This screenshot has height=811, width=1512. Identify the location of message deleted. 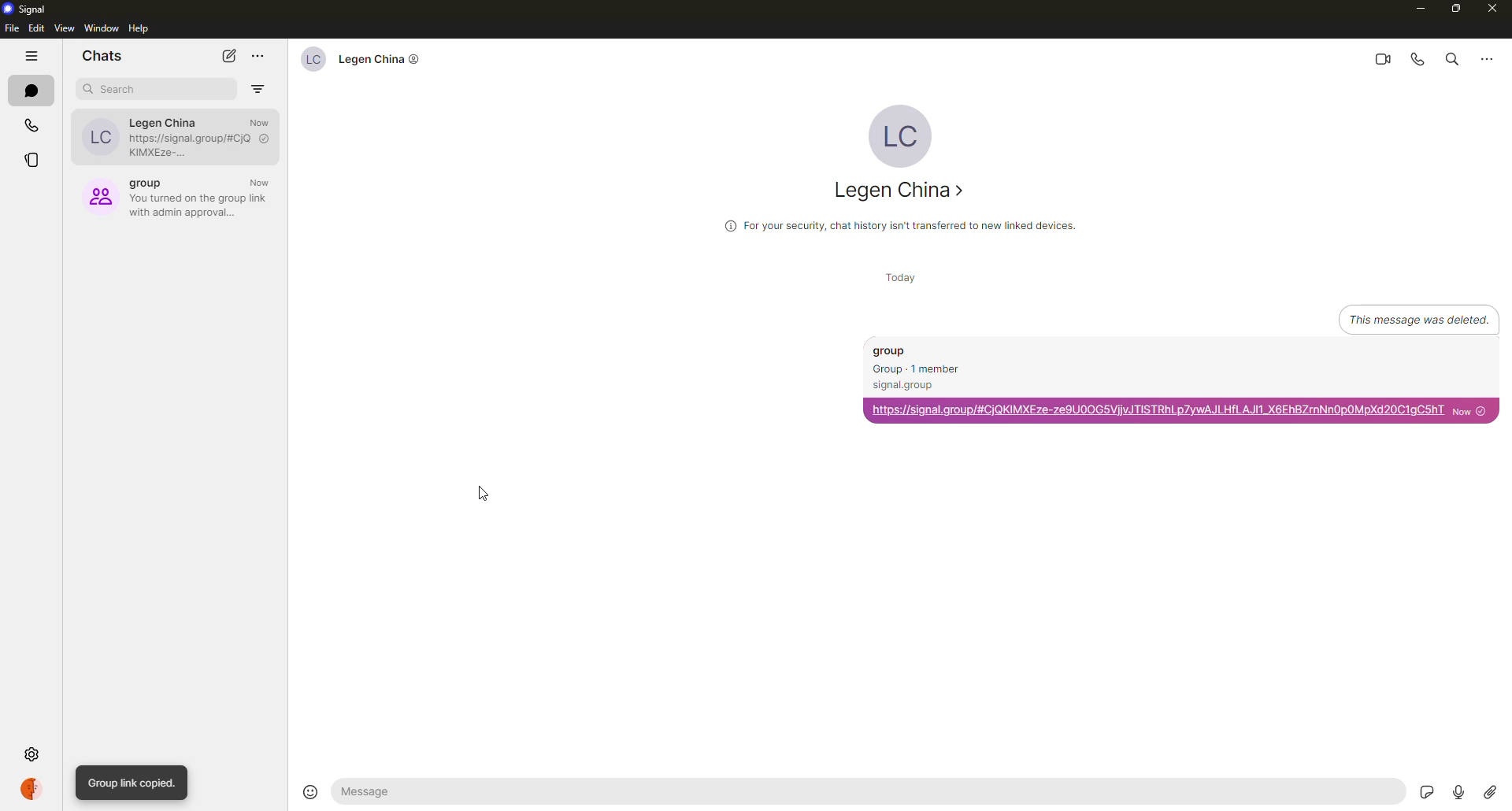
(1401, 317).